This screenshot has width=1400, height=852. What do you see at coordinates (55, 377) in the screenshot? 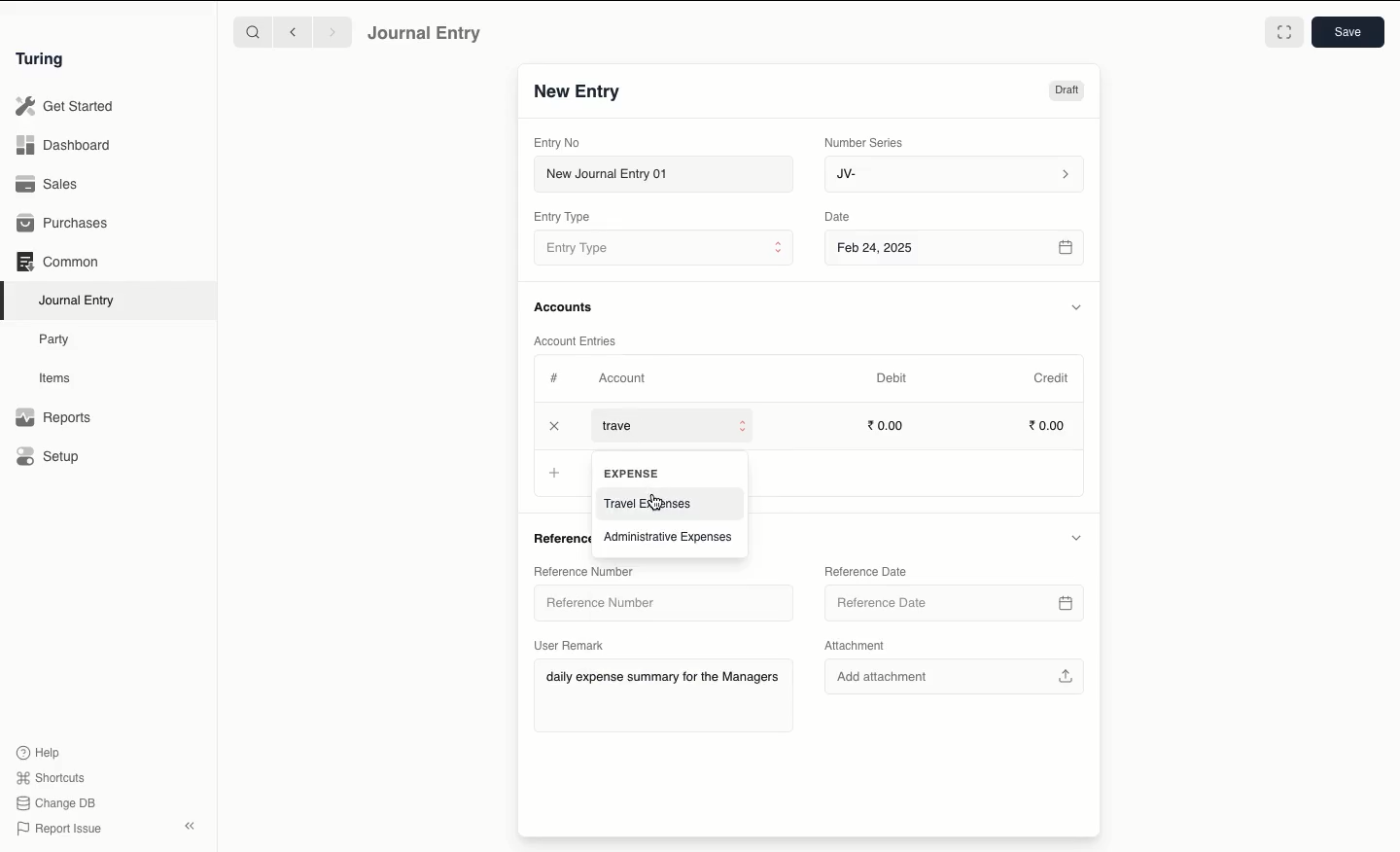
I see `Items` at bounding box center [55, 377].